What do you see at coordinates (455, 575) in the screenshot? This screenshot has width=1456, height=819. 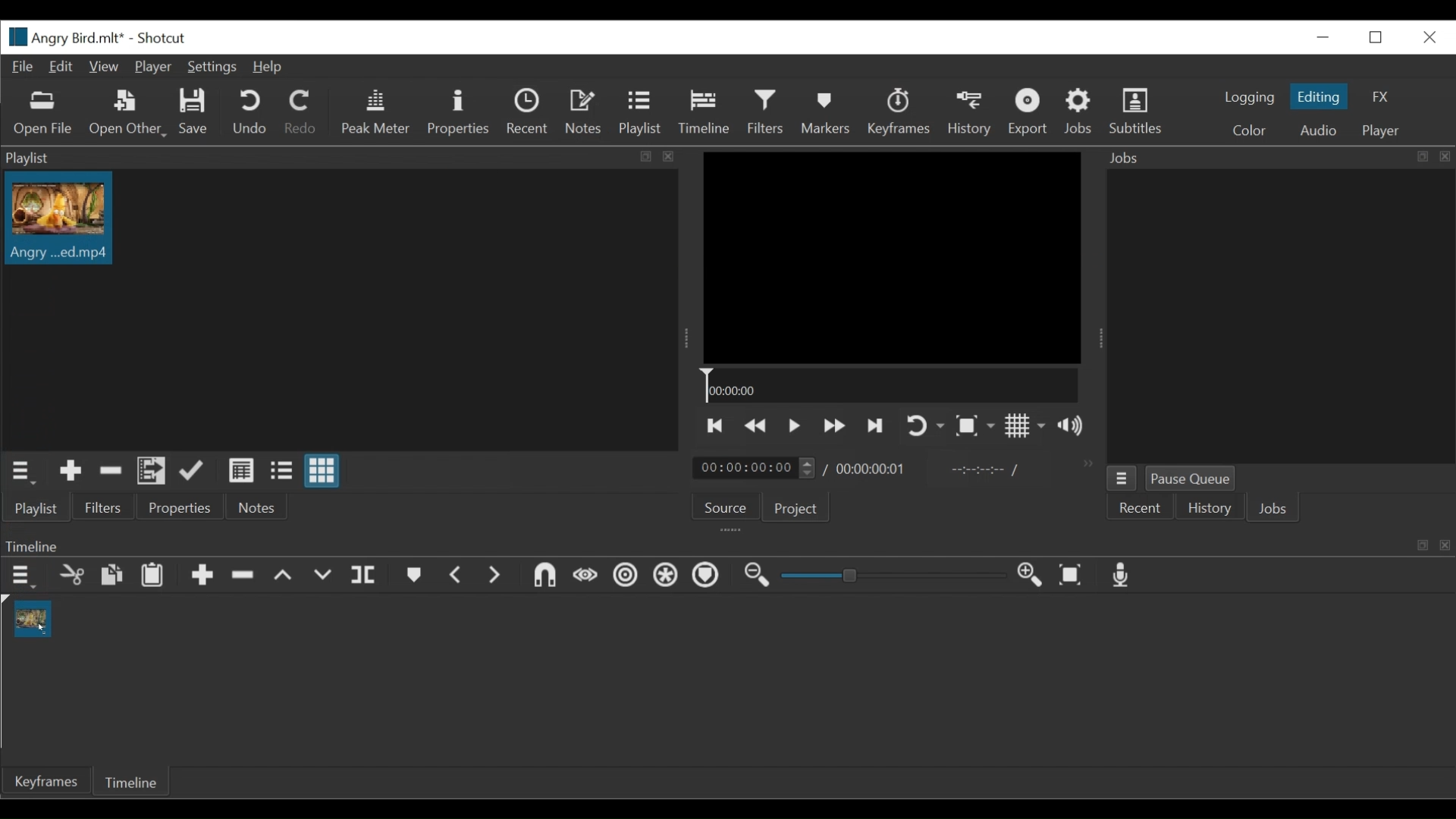 I see `previous` at bounding box center [455, 575].